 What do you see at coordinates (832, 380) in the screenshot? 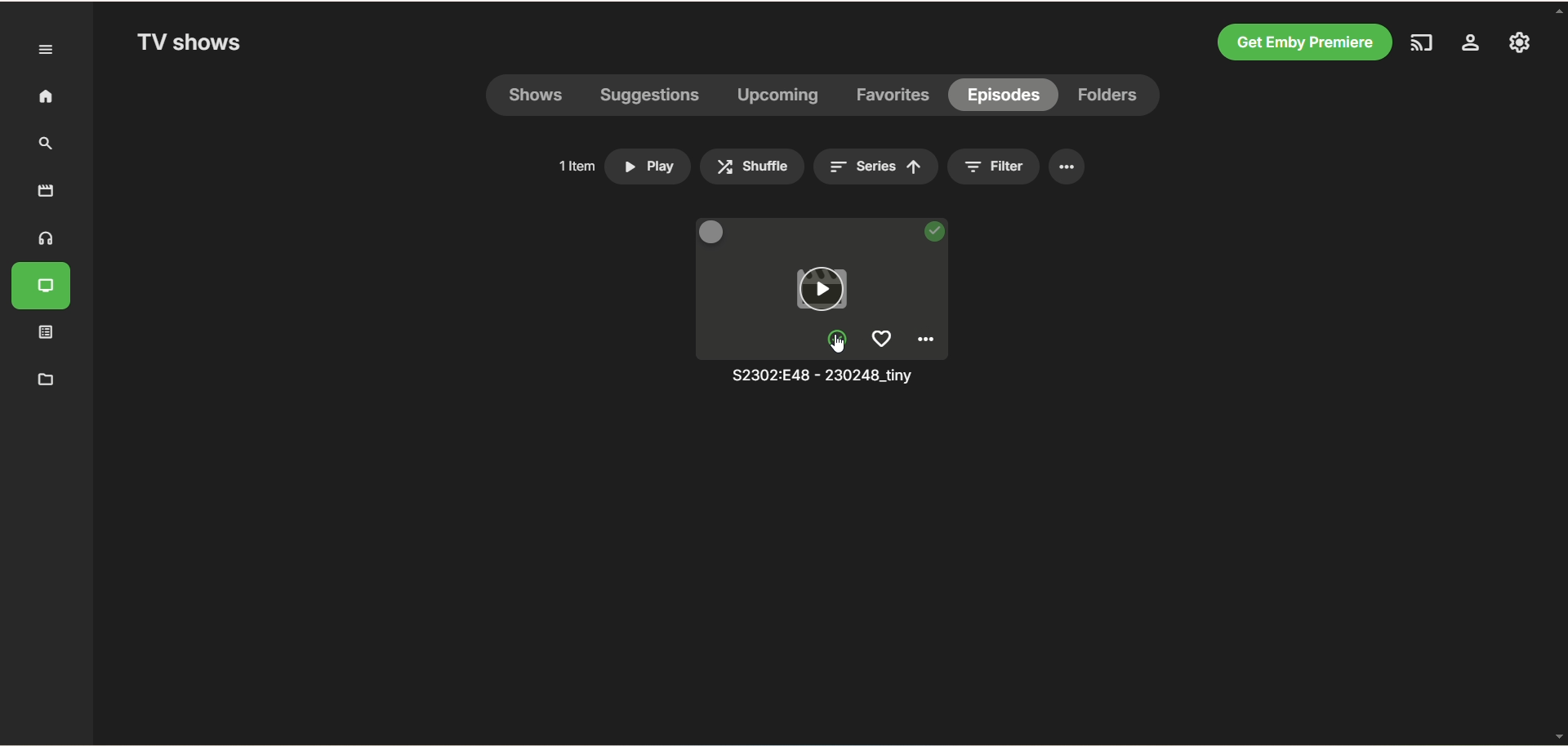
I see `title` at bounding box center [832, 380].